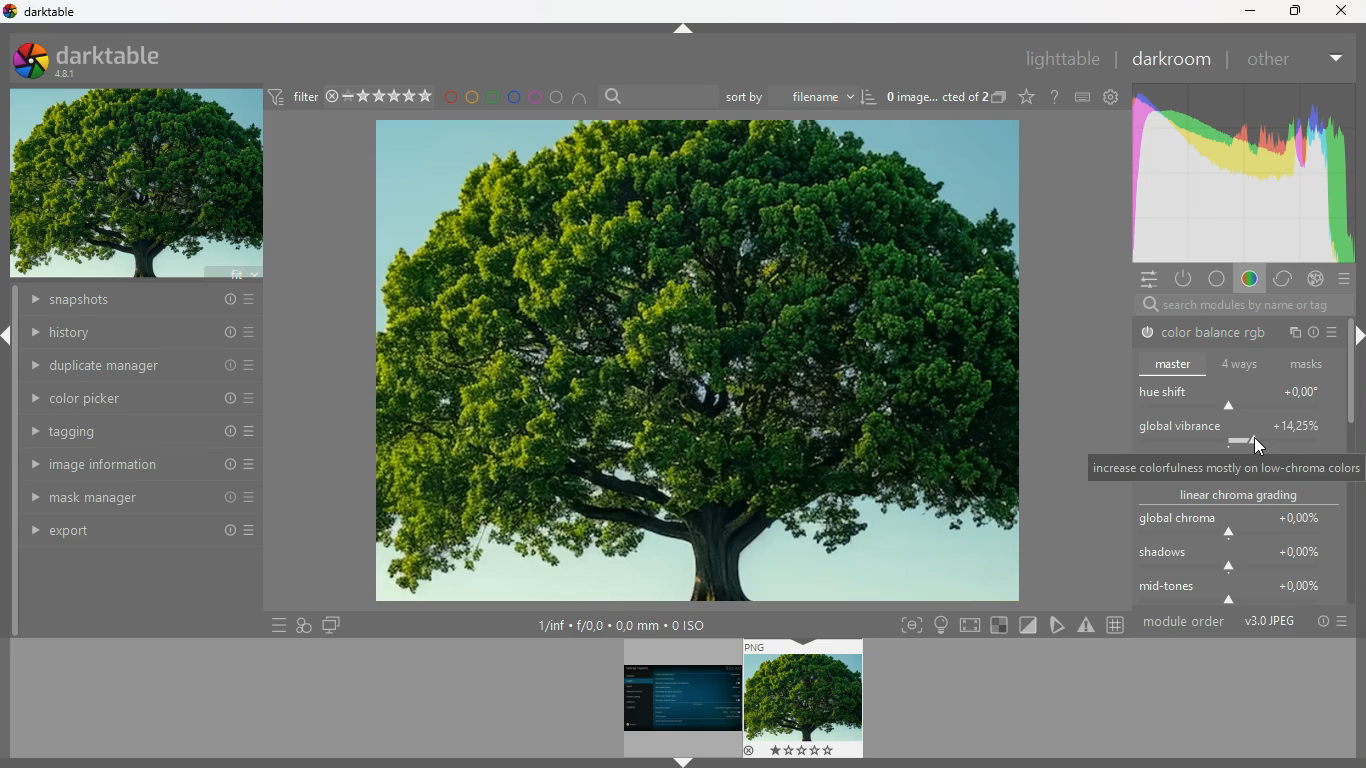 Image resolution: width=1366 pixels, height=768 pixels. Describe the element at coordinates (907, 626) in the screenshot. I see `frame` at that location.